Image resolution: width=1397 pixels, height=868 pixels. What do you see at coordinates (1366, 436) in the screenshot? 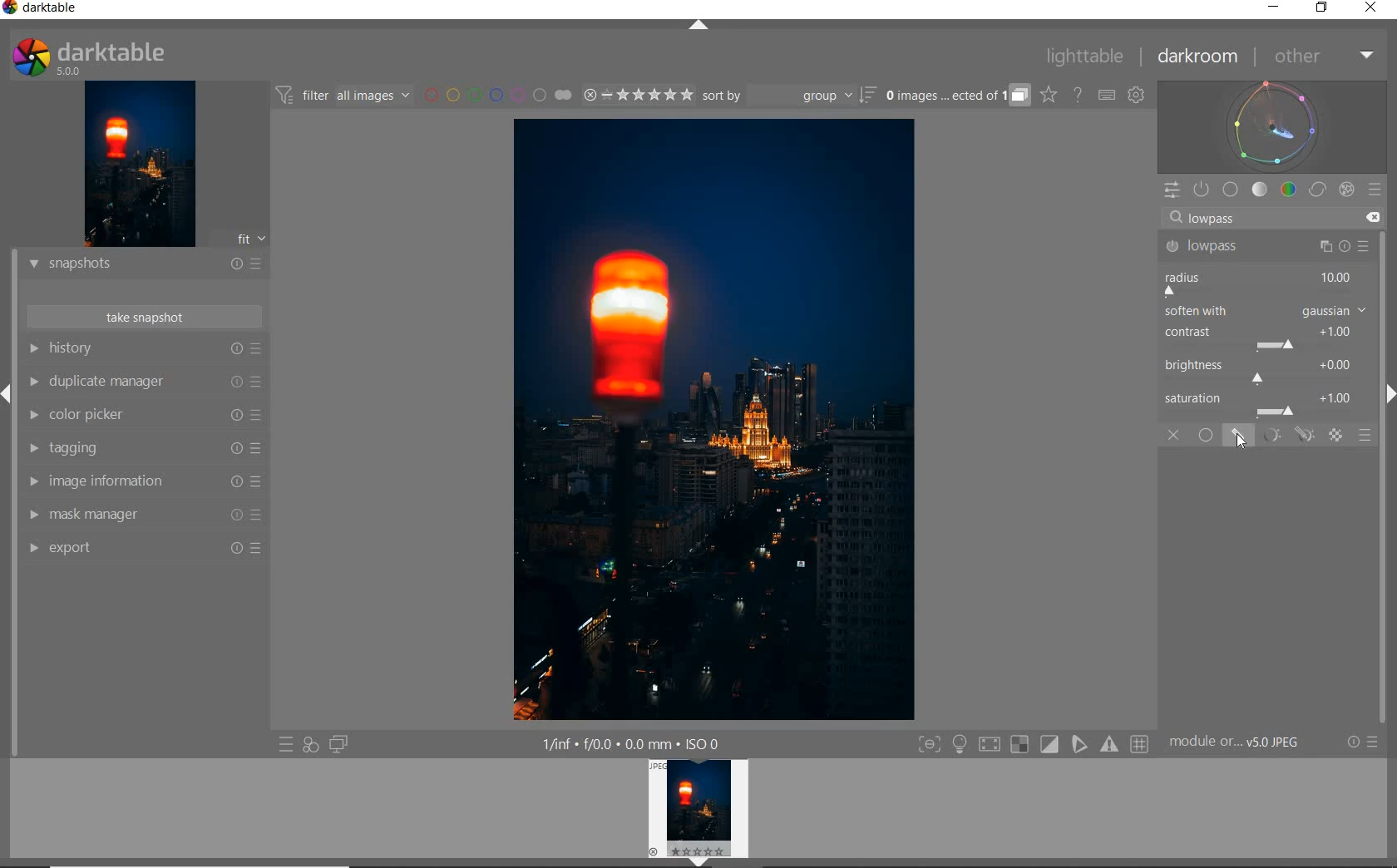
I see `BLENDING OPTIONS` at bounding box center [1366, 436].